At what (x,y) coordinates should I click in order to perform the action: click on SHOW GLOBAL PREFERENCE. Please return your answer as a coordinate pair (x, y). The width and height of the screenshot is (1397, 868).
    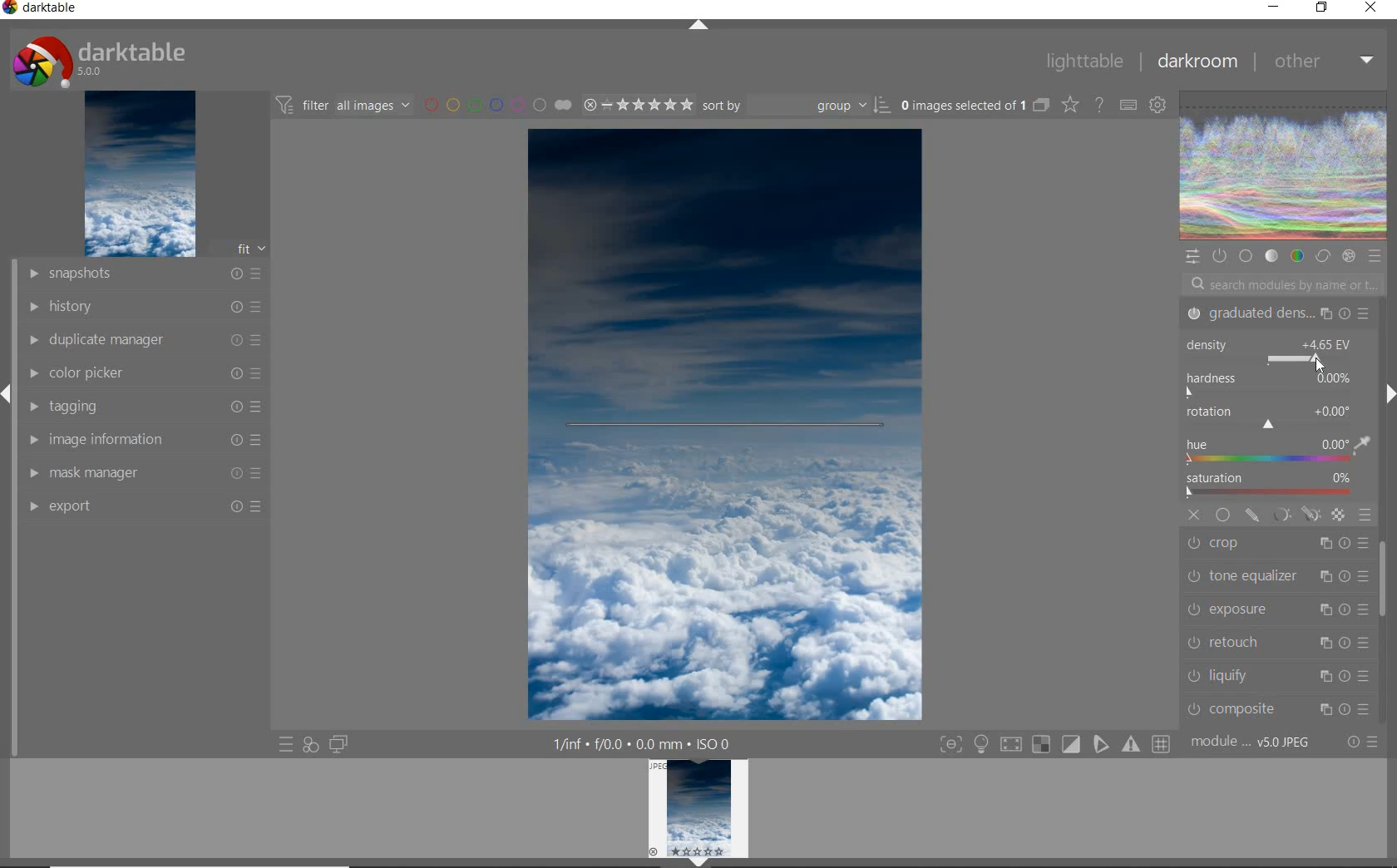
    Looking at the image, I should click on (1157, 106).